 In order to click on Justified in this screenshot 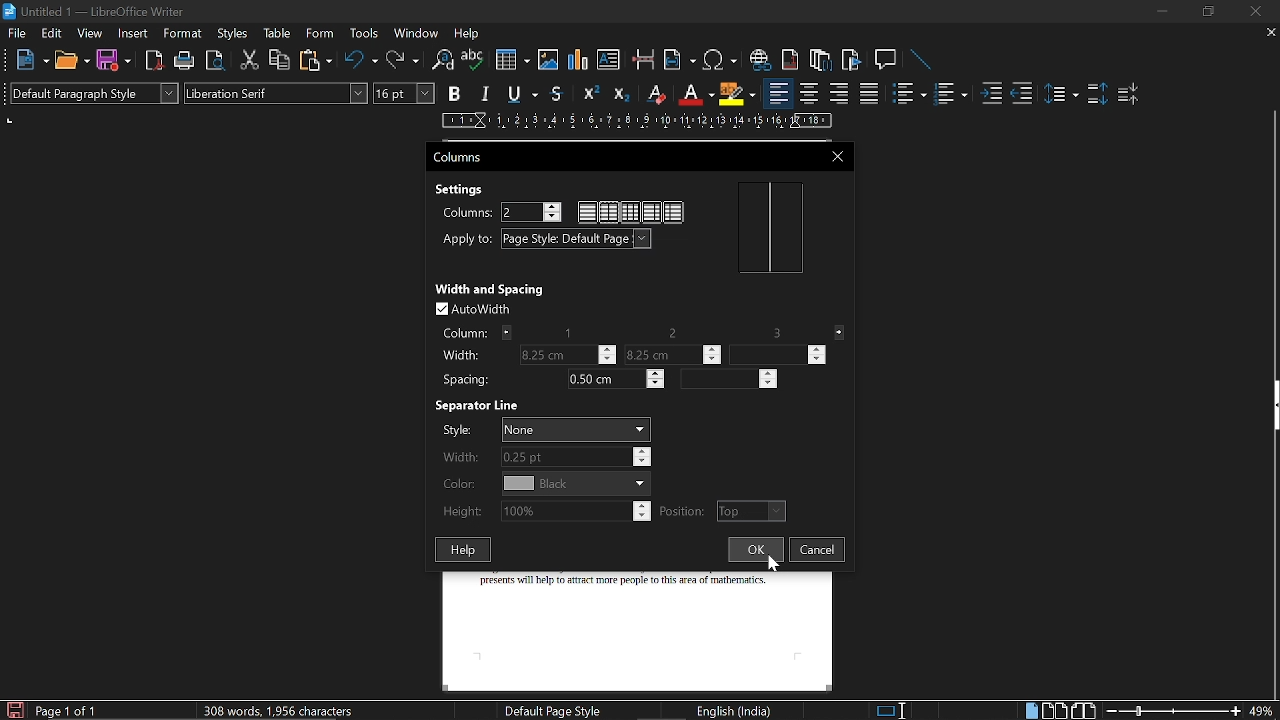, I will do `click(871, 93)`.